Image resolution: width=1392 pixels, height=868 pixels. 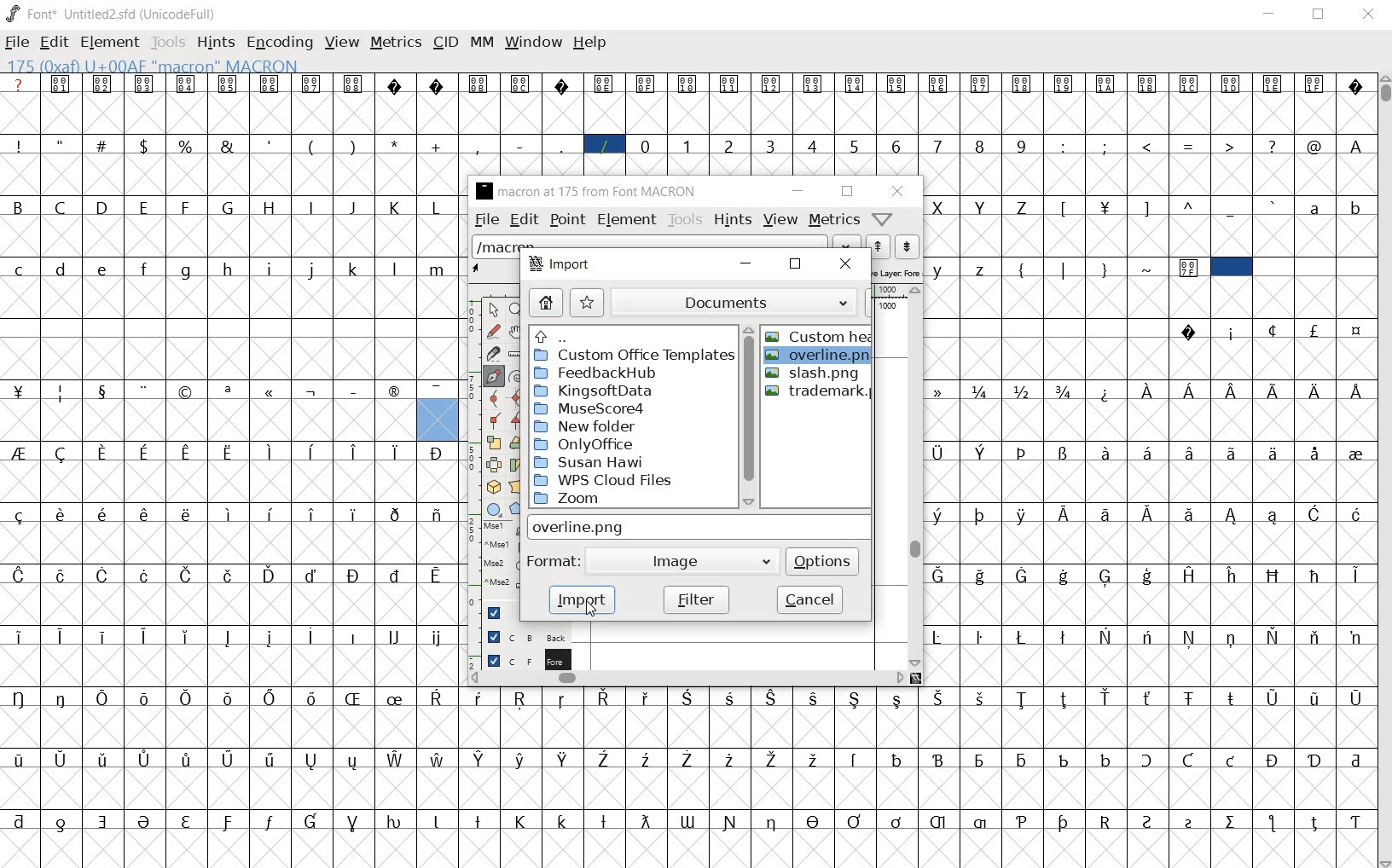 What do you see at coordinates (502, 567) in the screenshot?
I see `Mouse wheel button` at bounding box center [502, 567].